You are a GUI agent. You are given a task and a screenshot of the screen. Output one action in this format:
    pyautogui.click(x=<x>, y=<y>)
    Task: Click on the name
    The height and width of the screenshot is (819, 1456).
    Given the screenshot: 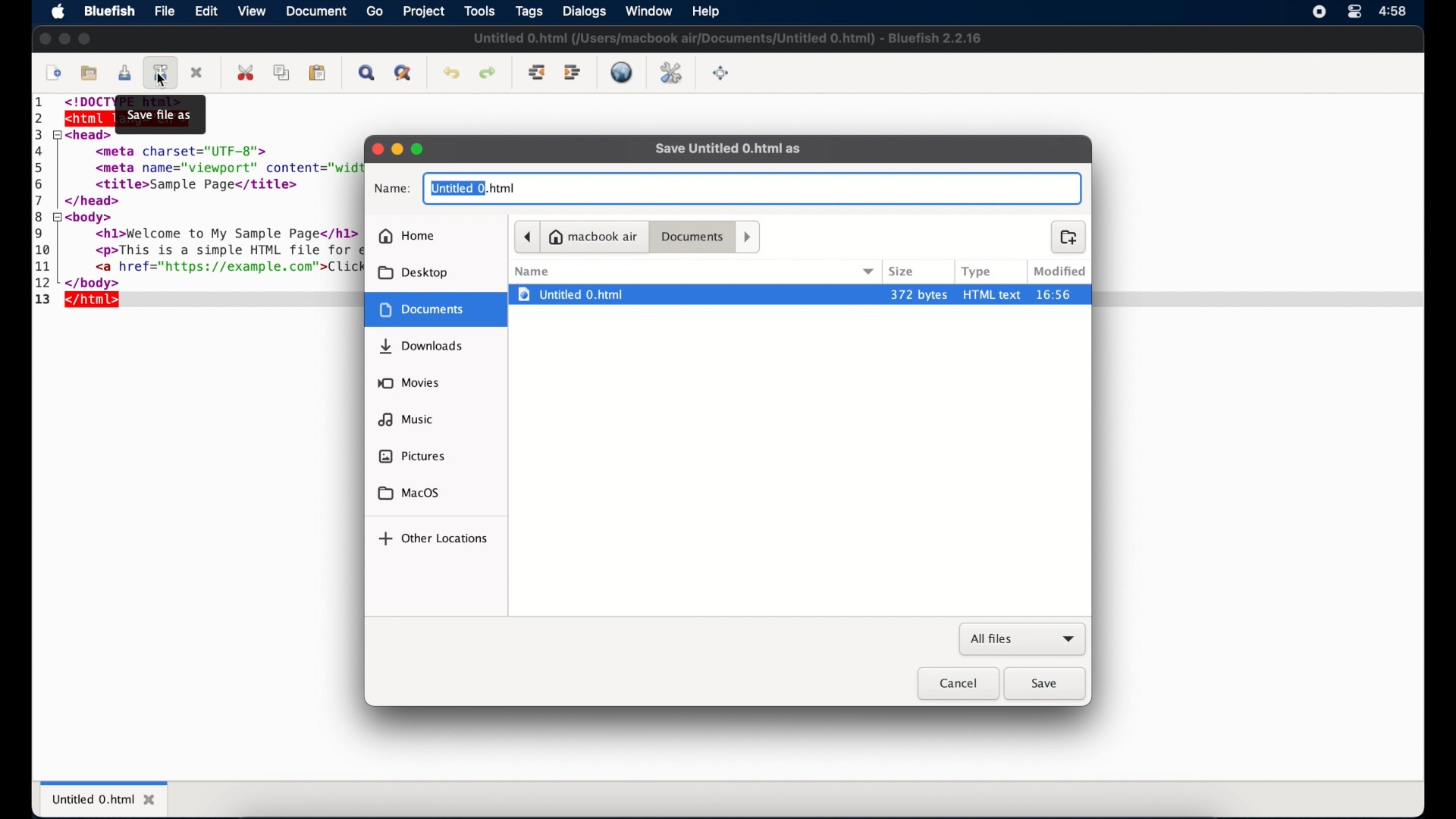 What is the action you would take?
    pyautogui.click(x=532, y=271)
    